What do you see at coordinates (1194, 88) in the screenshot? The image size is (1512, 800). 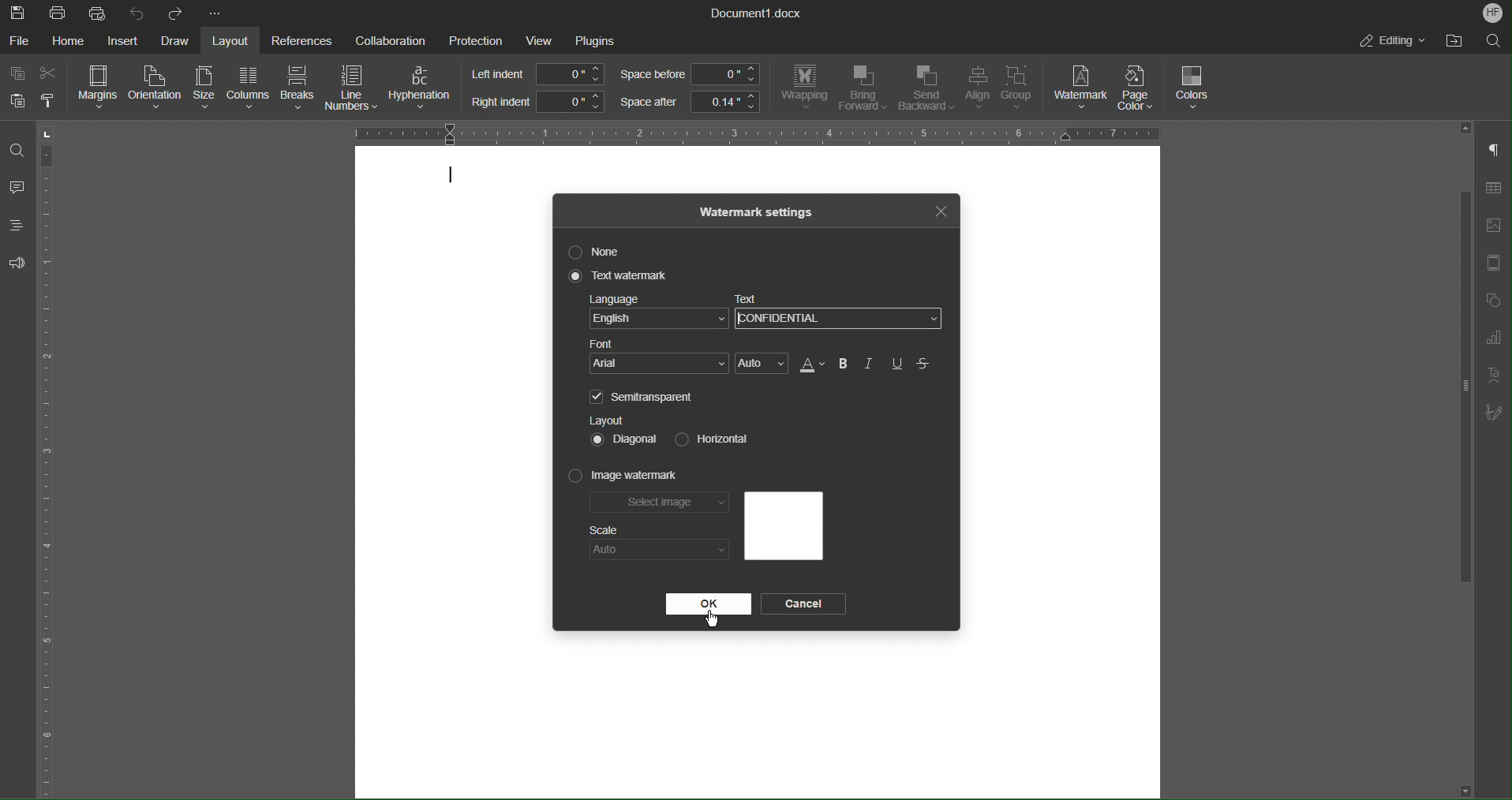 I see `Colors` at bounding box center [1194, 88].